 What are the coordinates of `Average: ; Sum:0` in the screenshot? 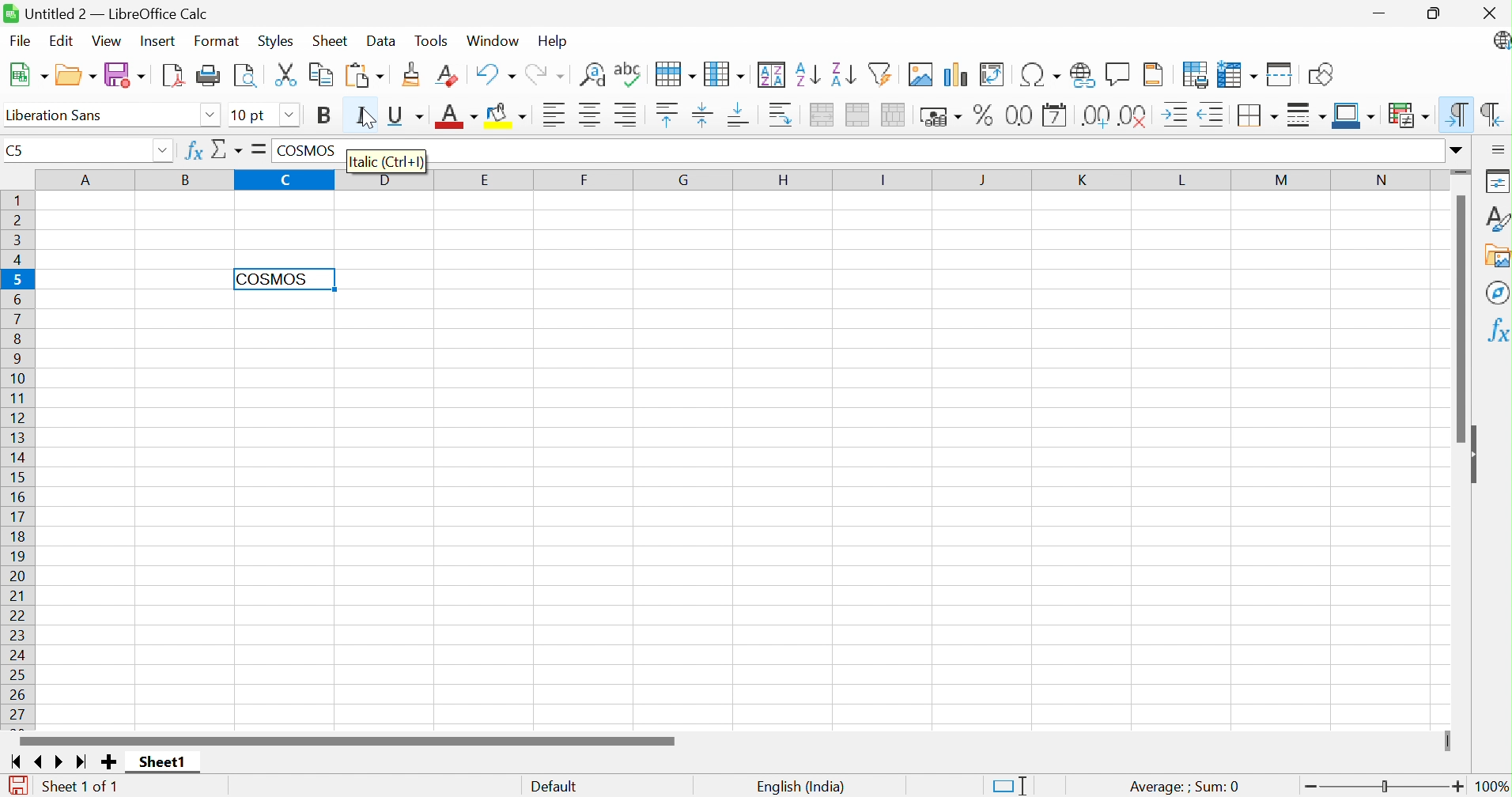 It's located at (1182, 788).